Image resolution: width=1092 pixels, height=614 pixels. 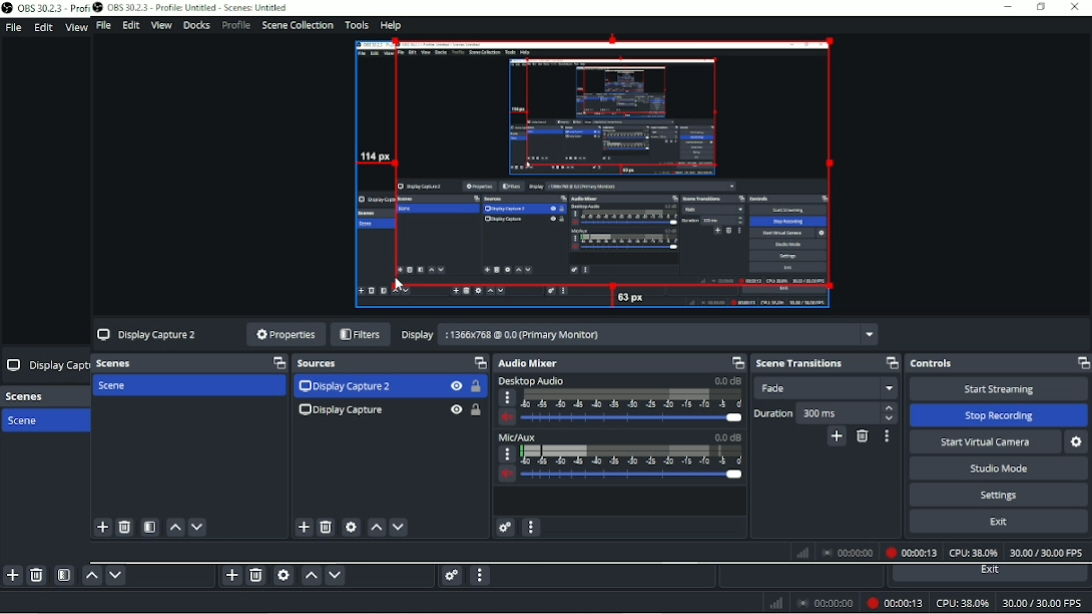 I want to click on down, so click(x=200, y=528).